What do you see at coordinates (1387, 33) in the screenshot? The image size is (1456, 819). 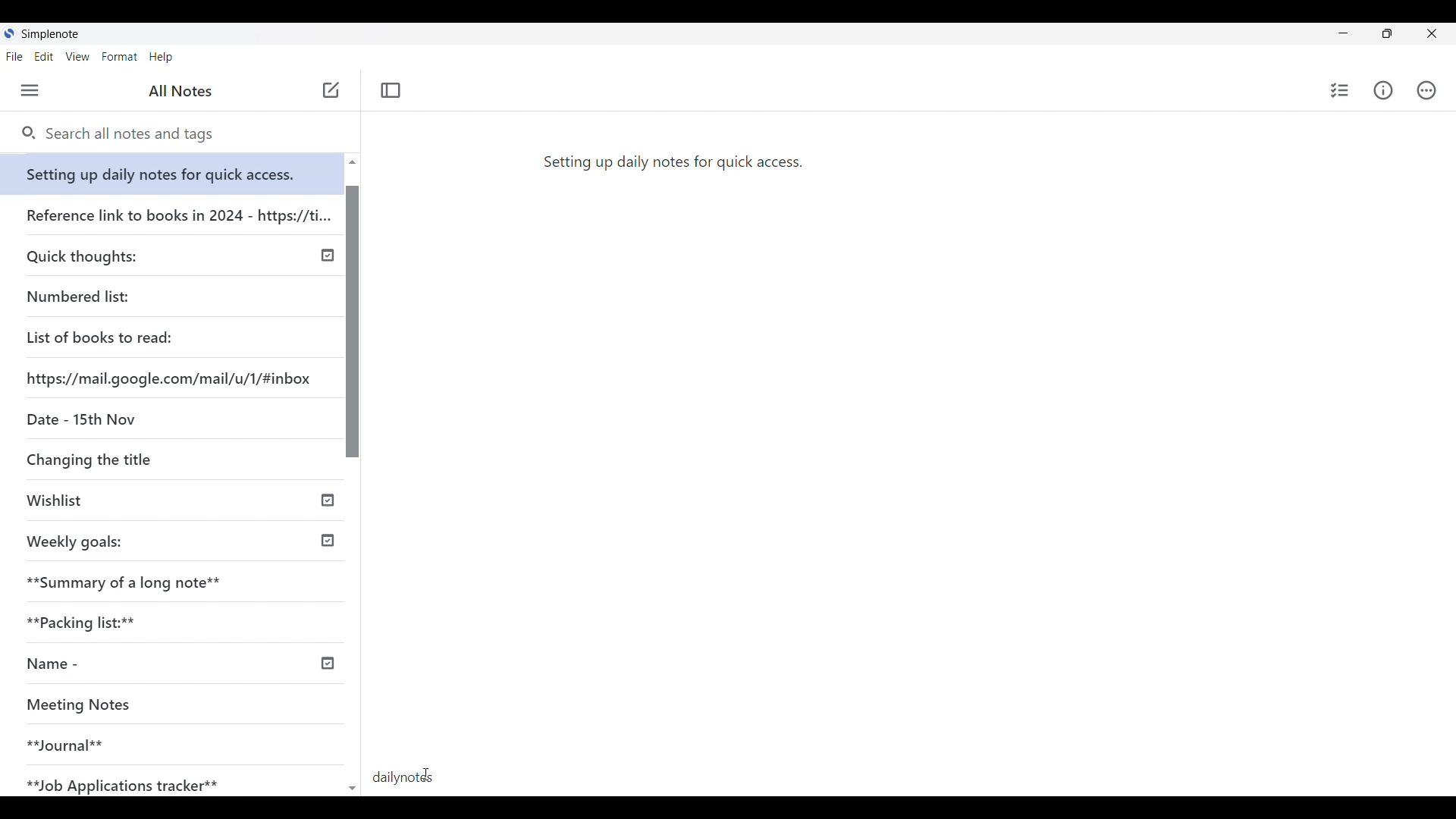 I see `toggle screen` at bounding box center [1387, 33].